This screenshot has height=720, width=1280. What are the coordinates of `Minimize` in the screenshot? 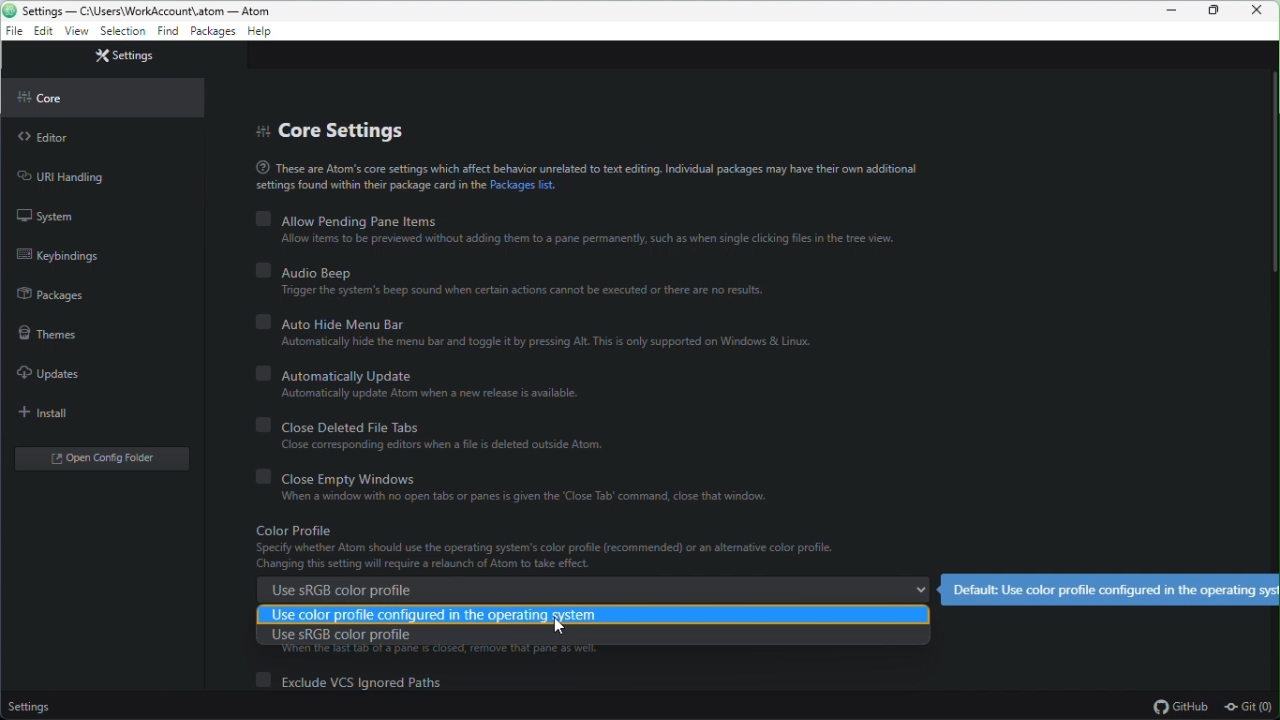 It's located at (1174, 11).